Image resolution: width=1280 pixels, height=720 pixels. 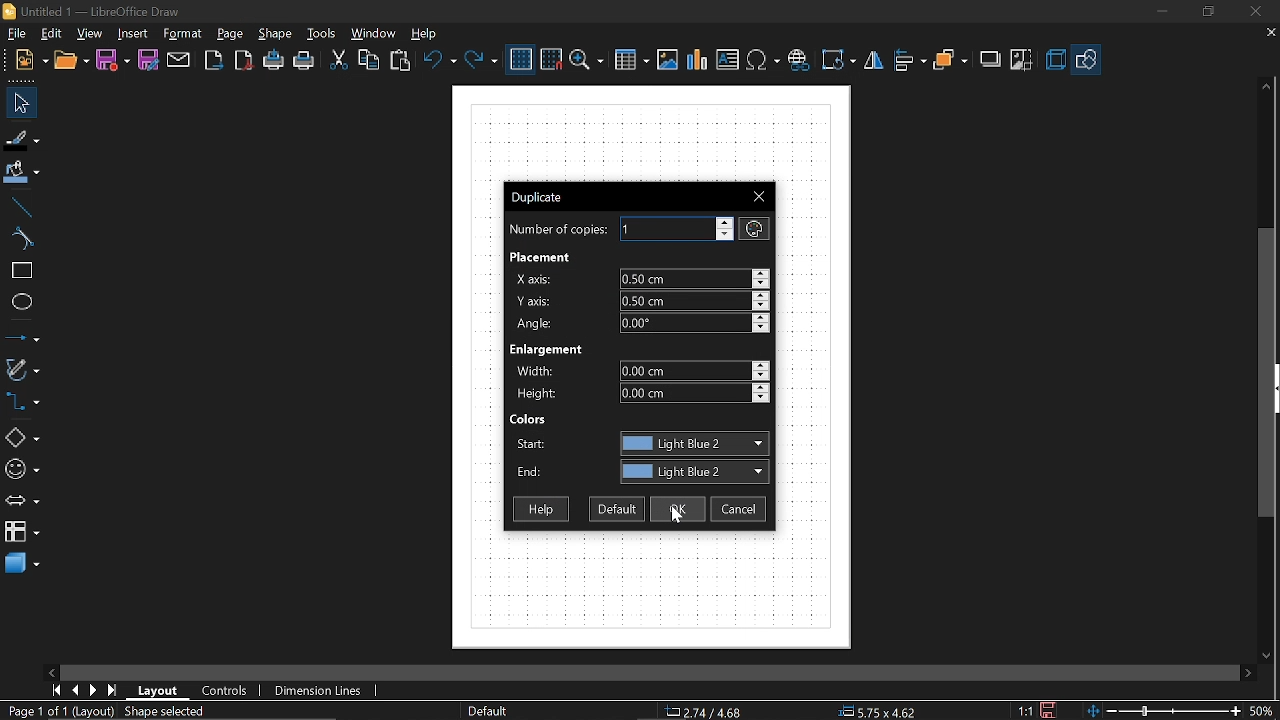 What do you see at coordinates (401, 61) in the screenshot?
I see `paste` at bounding box center [401, 61].